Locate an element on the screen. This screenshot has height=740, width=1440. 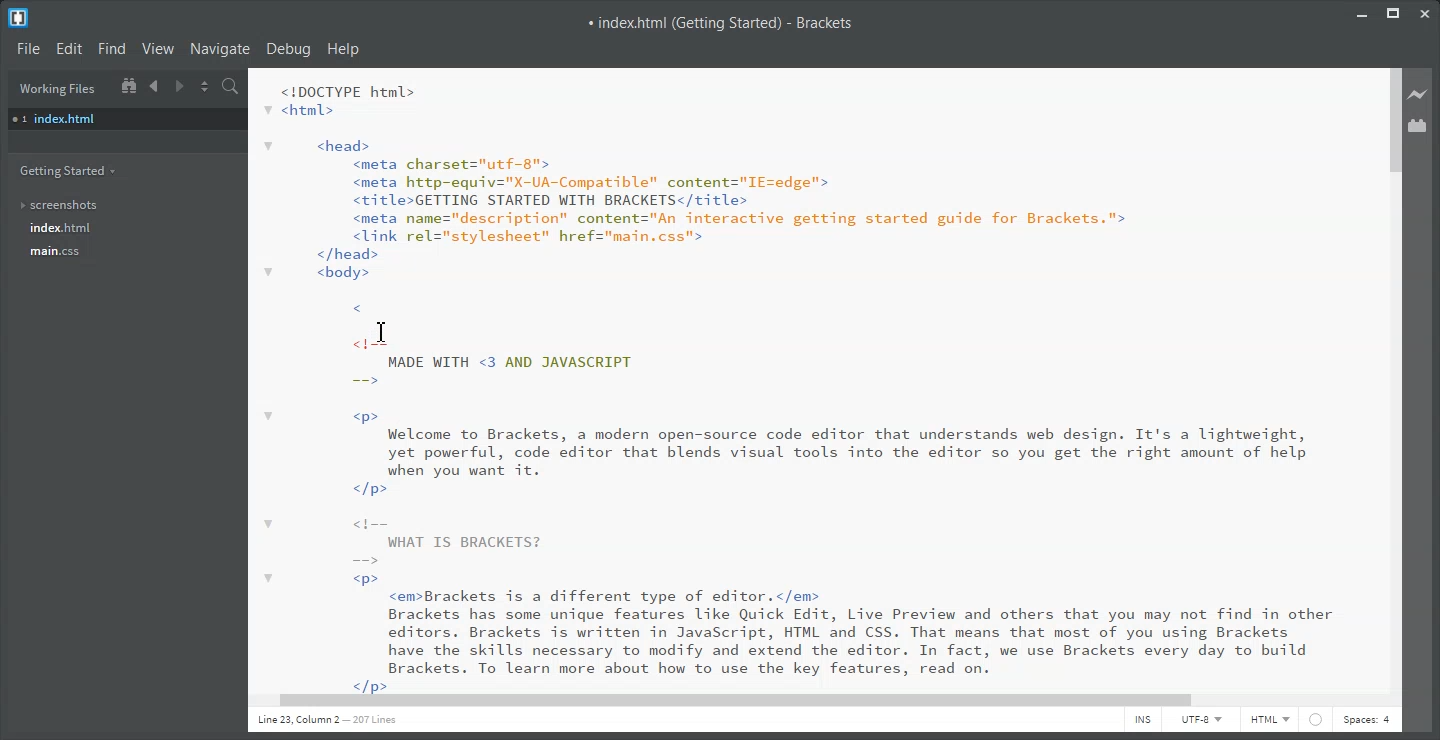
Extension Manager is located at coordinates (1420, 125).